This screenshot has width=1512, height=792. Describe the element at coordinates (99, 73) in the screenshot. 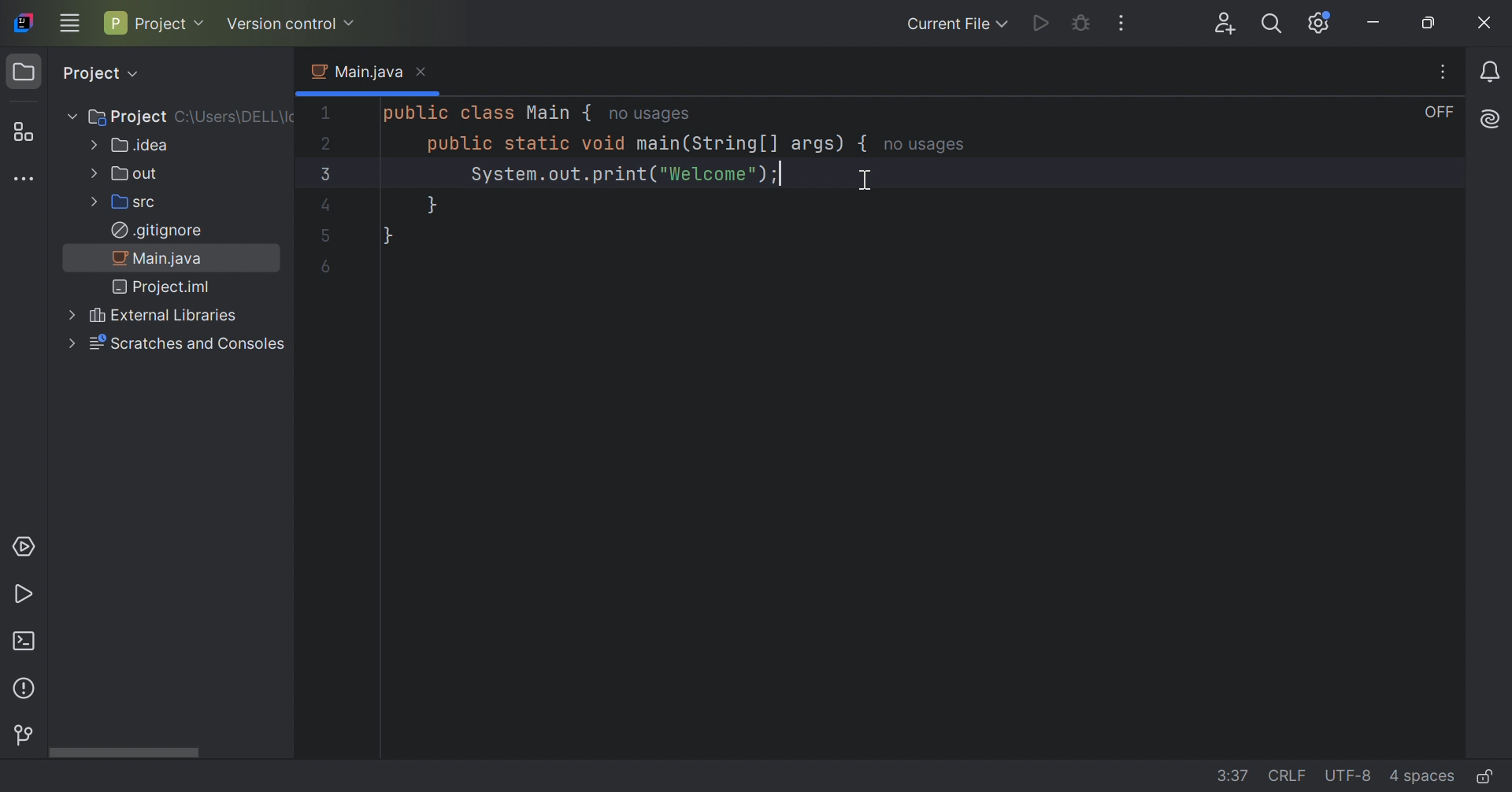

I see `Project` at that location.